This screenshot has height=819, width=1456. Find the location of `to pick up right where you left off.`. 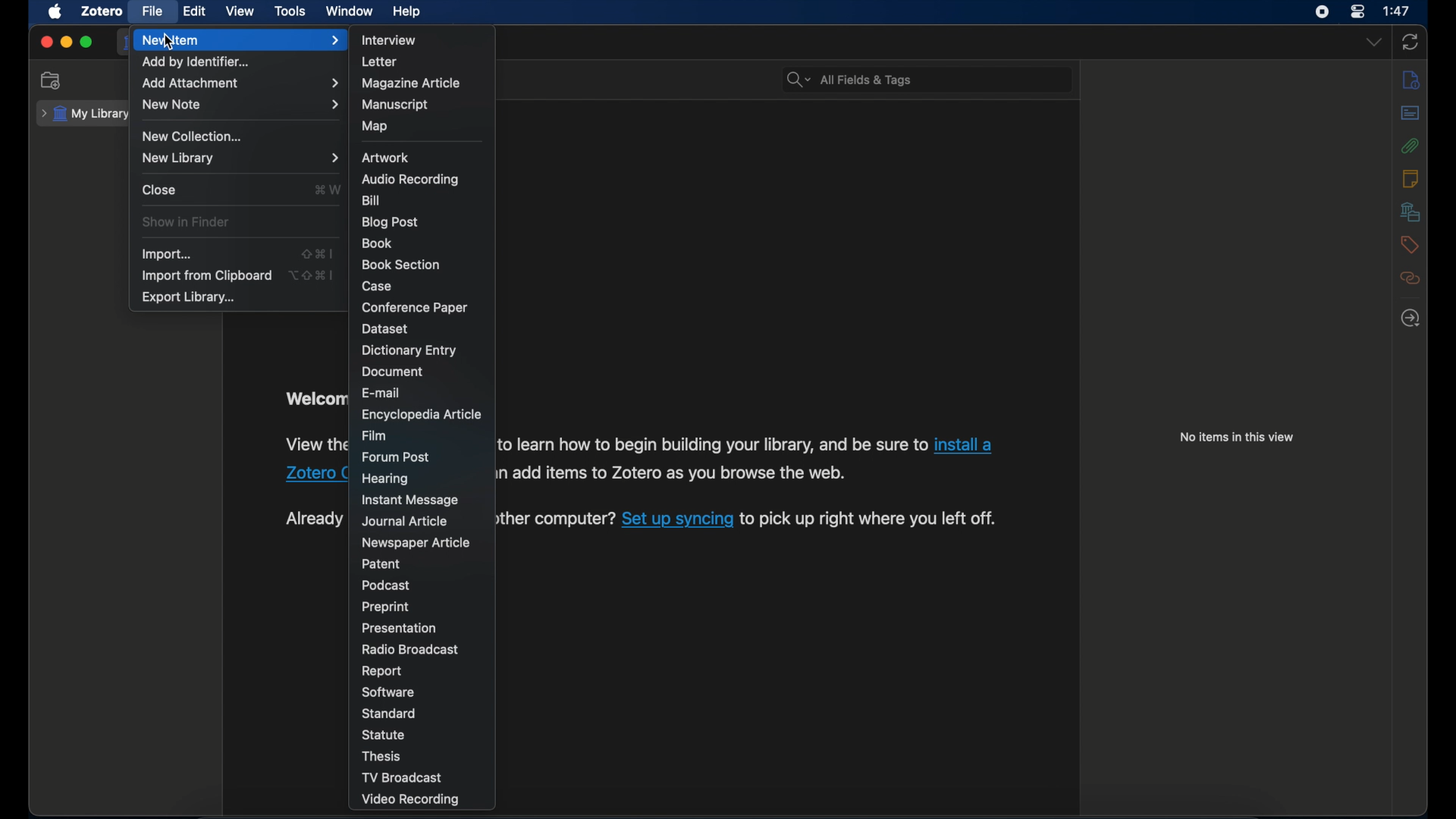

to pick up right where you left off. is located at coordinates (869, 519).